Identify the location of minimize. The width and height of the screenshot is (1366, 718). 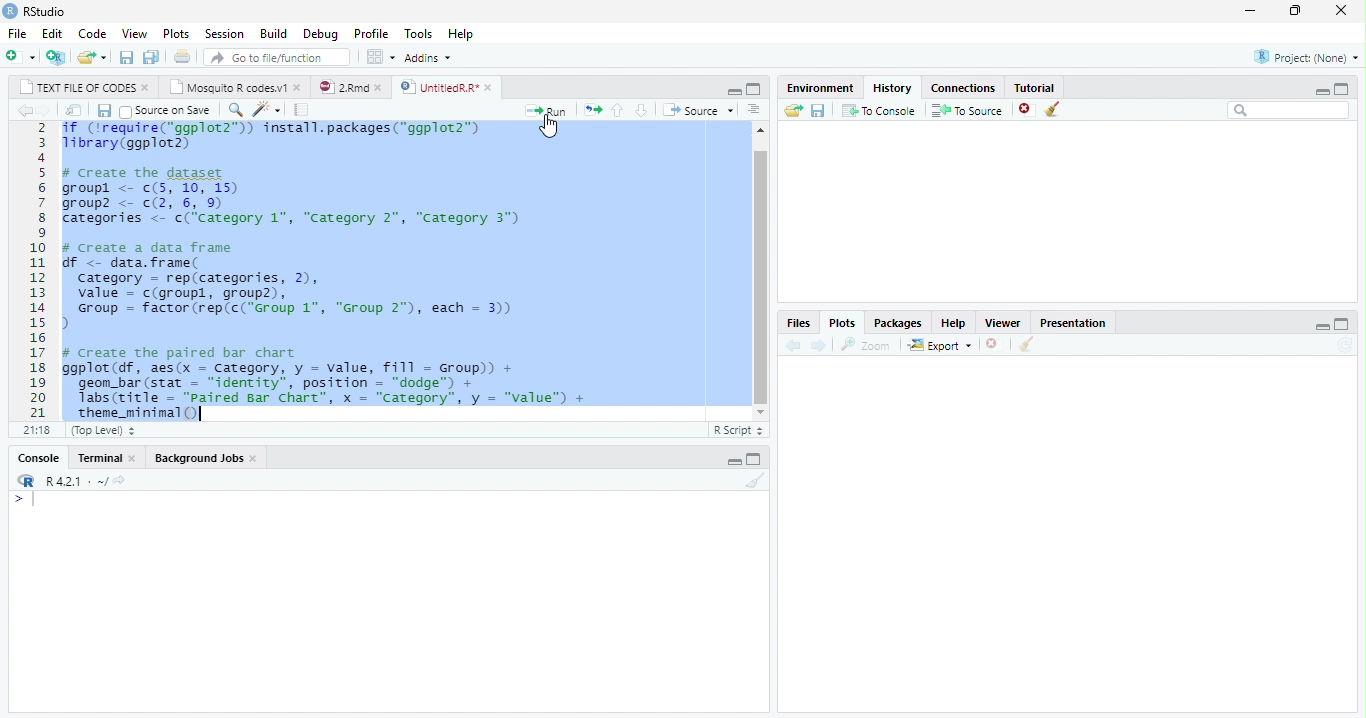
(1323, 89).